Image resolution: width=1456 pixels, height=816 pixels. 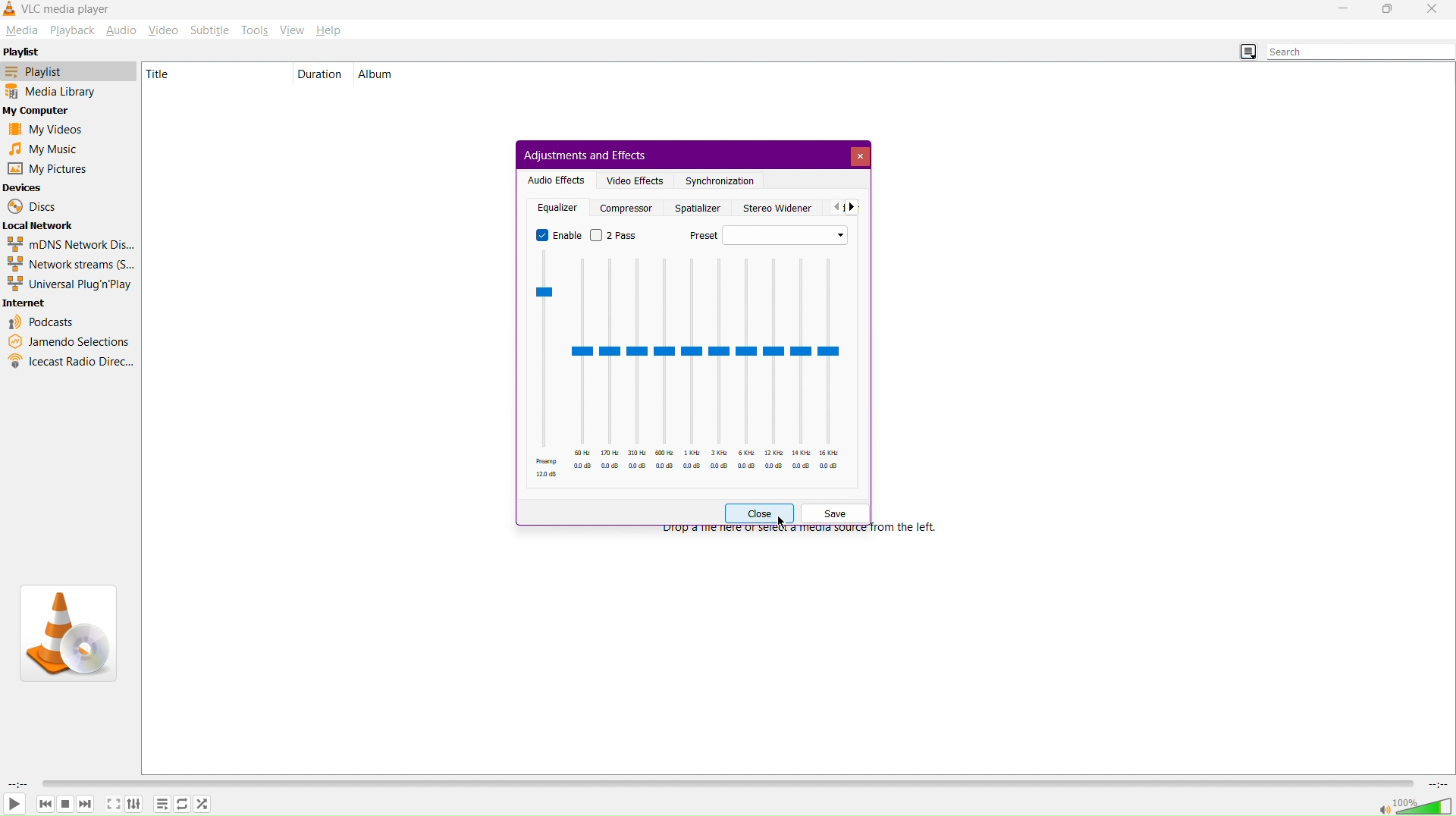 I want to click on mDNS Network , so click(x=72, y=245).